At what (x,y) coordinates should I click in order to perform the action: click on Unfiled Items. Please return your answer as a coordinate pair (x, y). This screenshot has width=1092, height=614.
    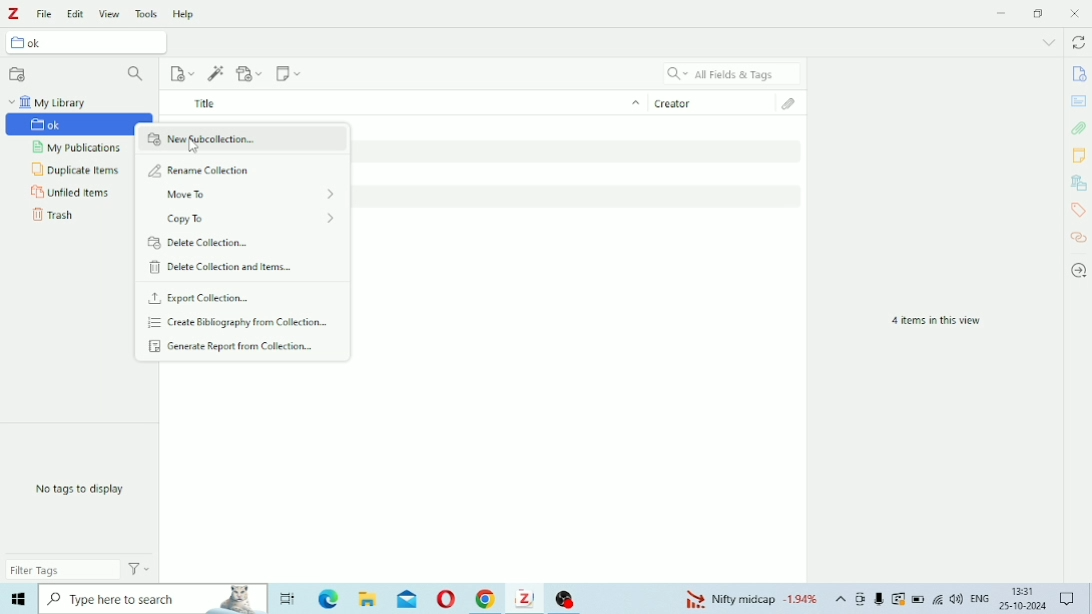
    Looking at the image, I should click on (72, 193).